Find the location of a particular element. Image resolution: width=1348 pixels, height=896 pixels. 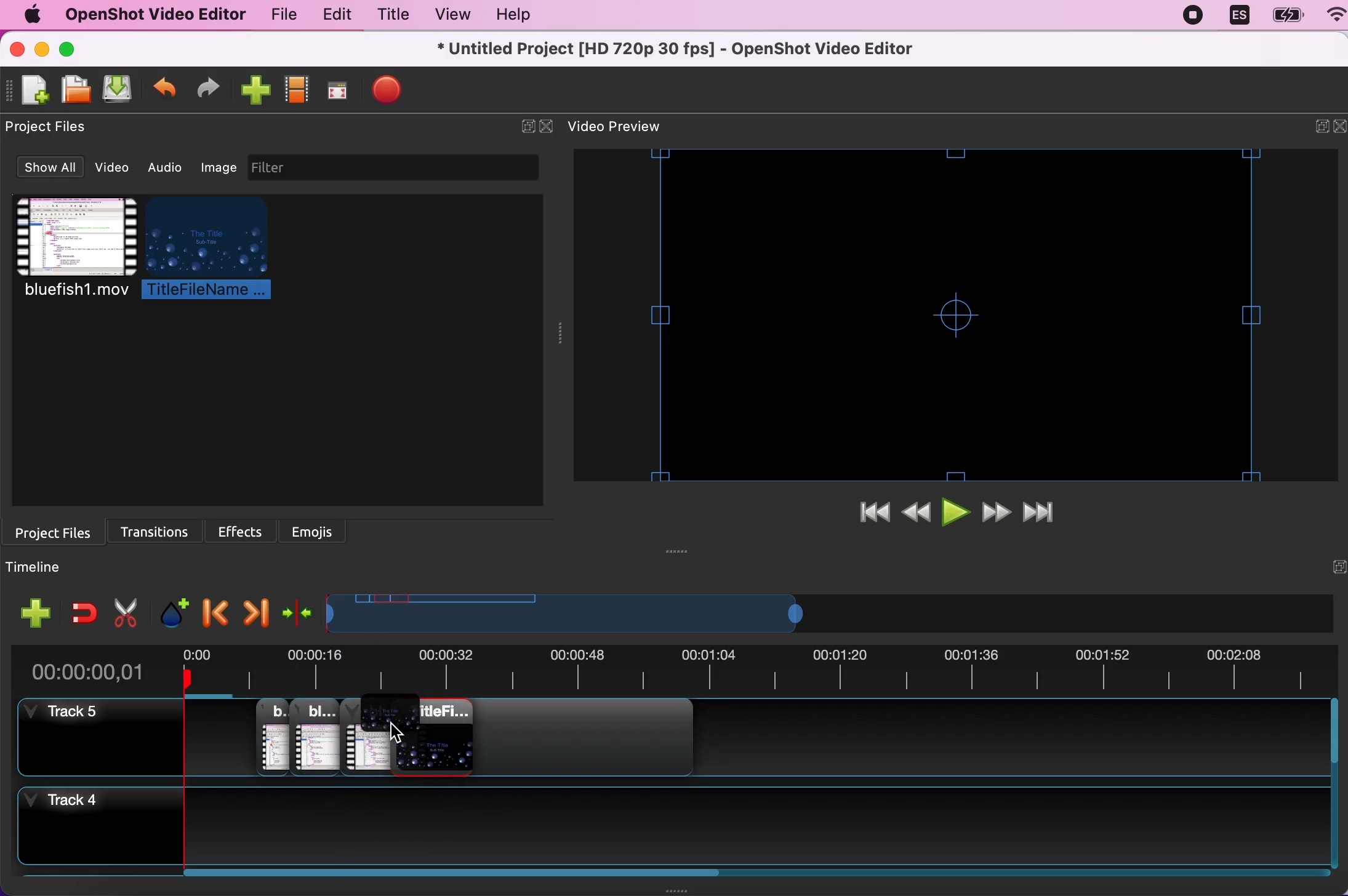

show all is located at coordinates (48, 169).